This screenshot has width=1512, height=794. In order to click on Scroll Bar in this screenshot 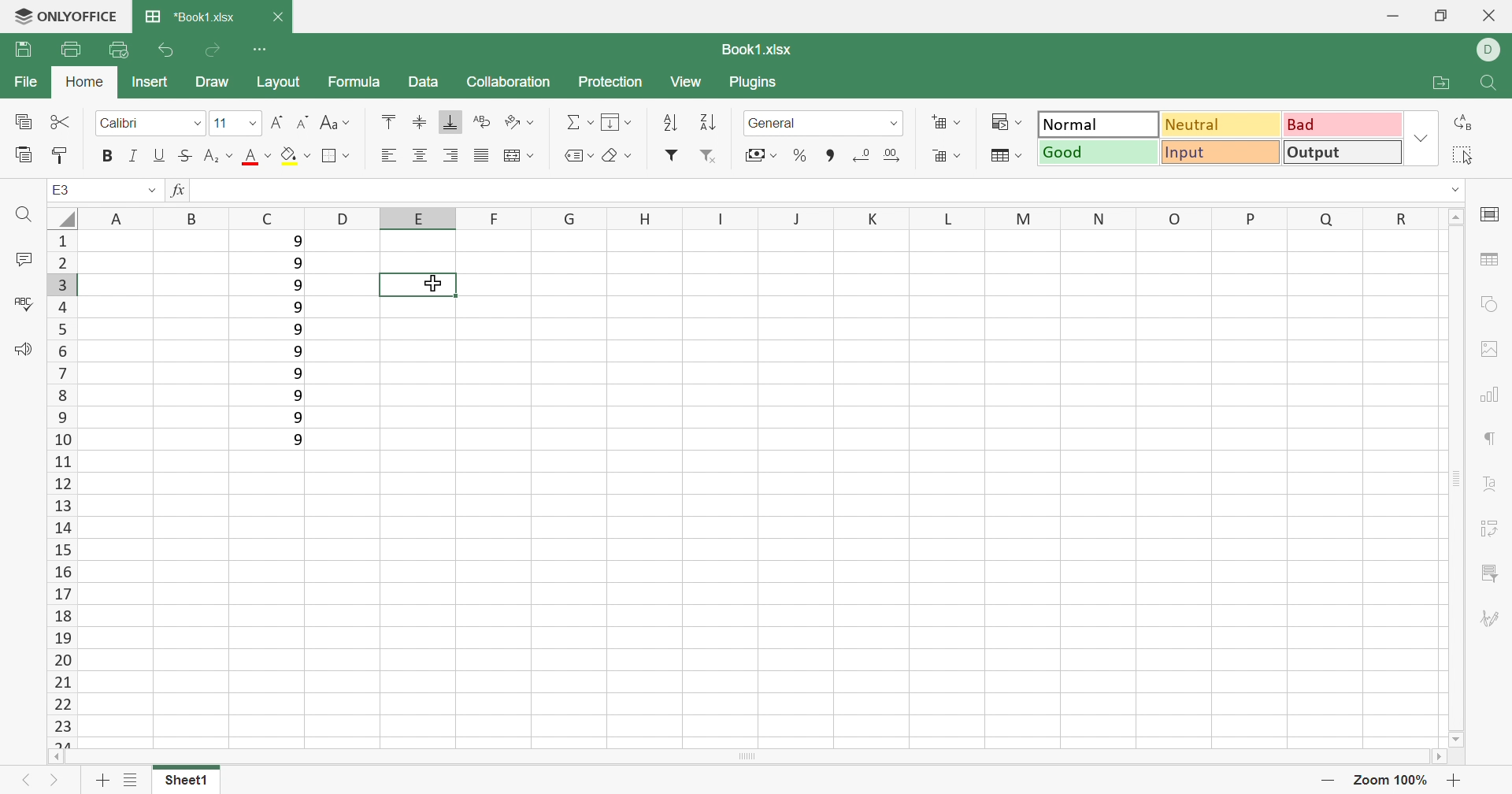, I will do `click(1459, 479)`.